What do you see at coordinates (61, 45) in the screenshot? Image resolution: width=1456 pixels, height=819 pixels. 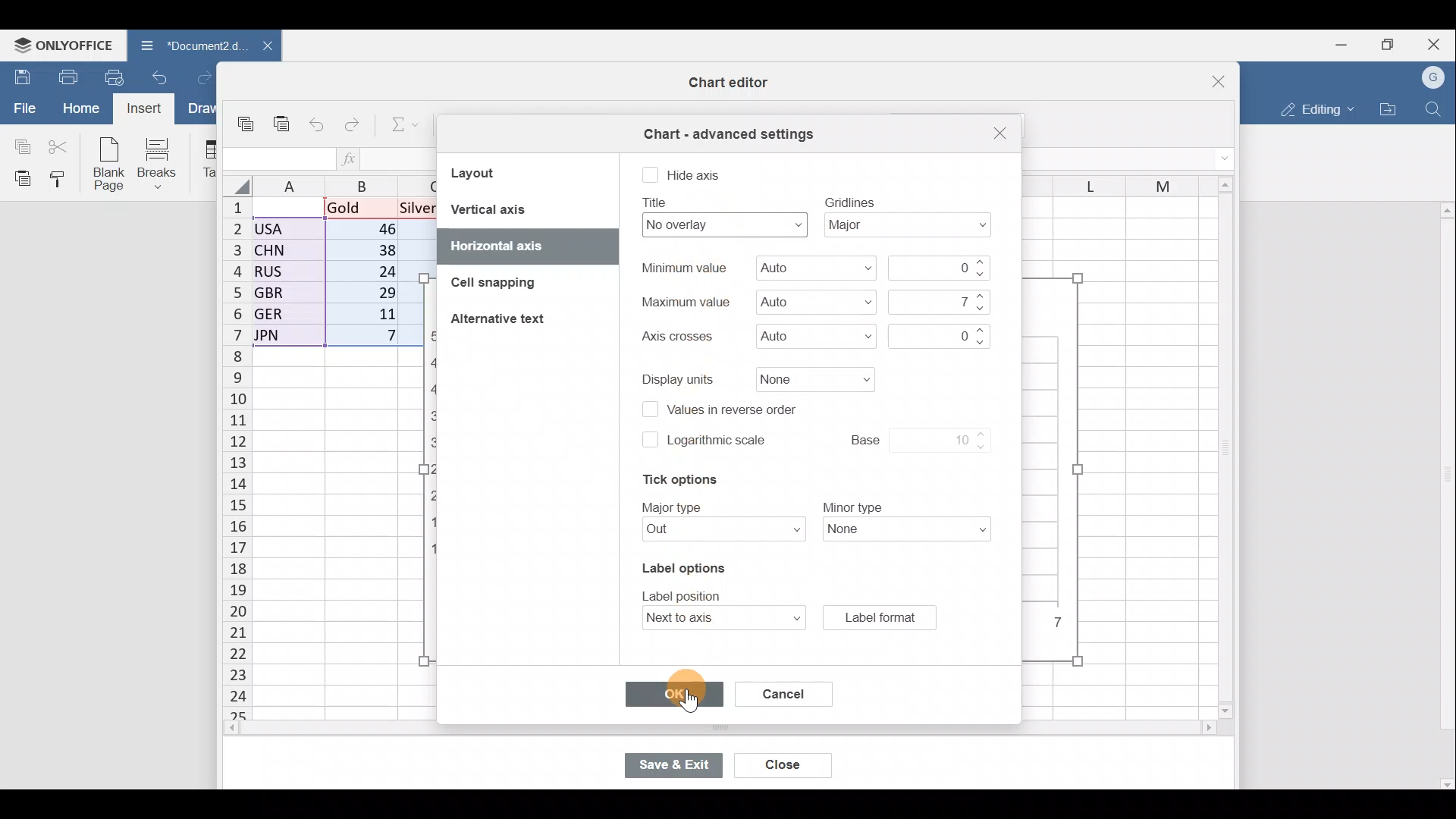 I see `ONLYOFFICE Menu` at bounding box center [61, 45].